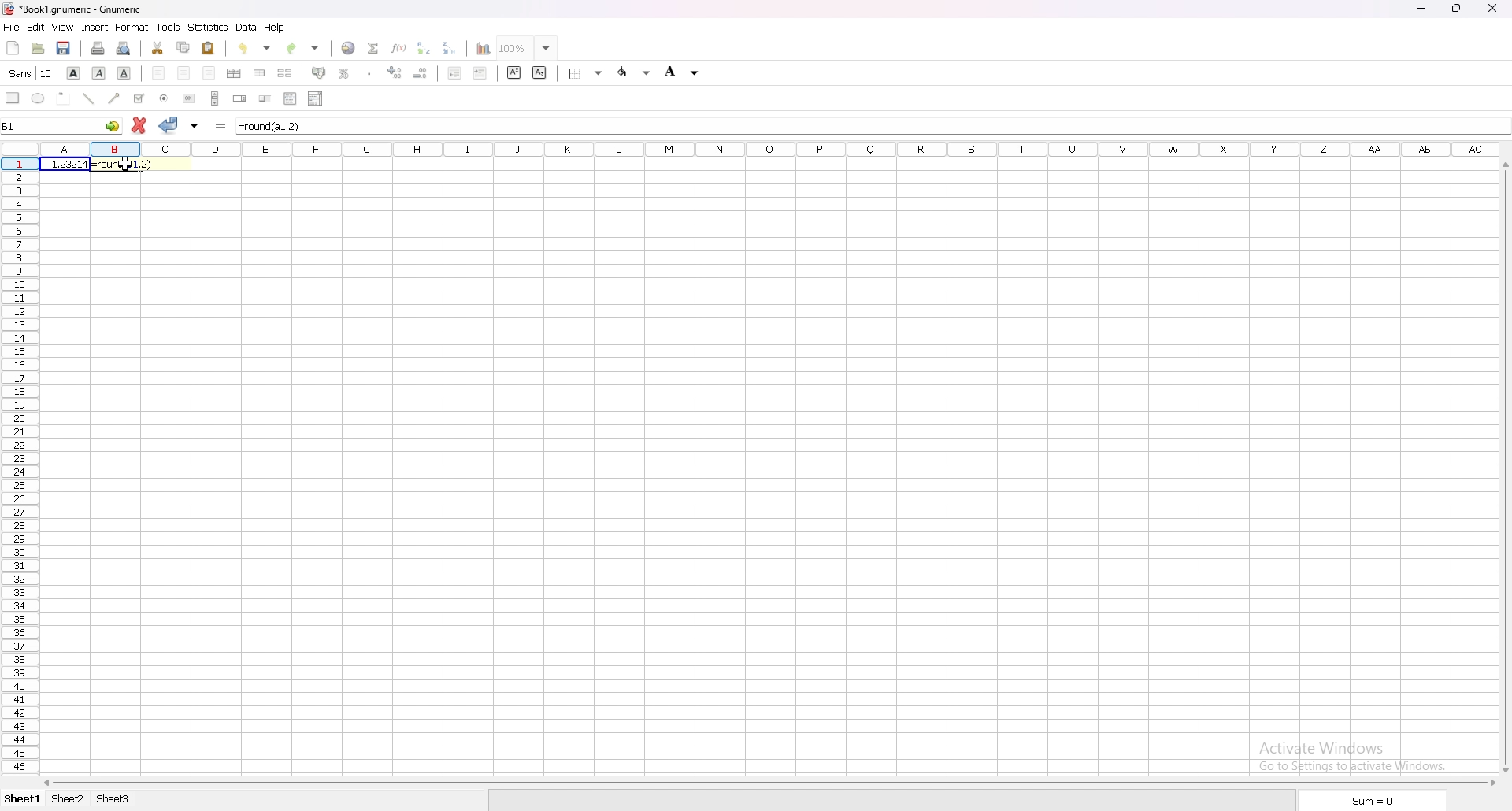 Image resolution: width=1512 pixels, height=811 pixels. Describe the element at coordinates (216, 98) in the screenshot. I see `scroll bar` at that location.